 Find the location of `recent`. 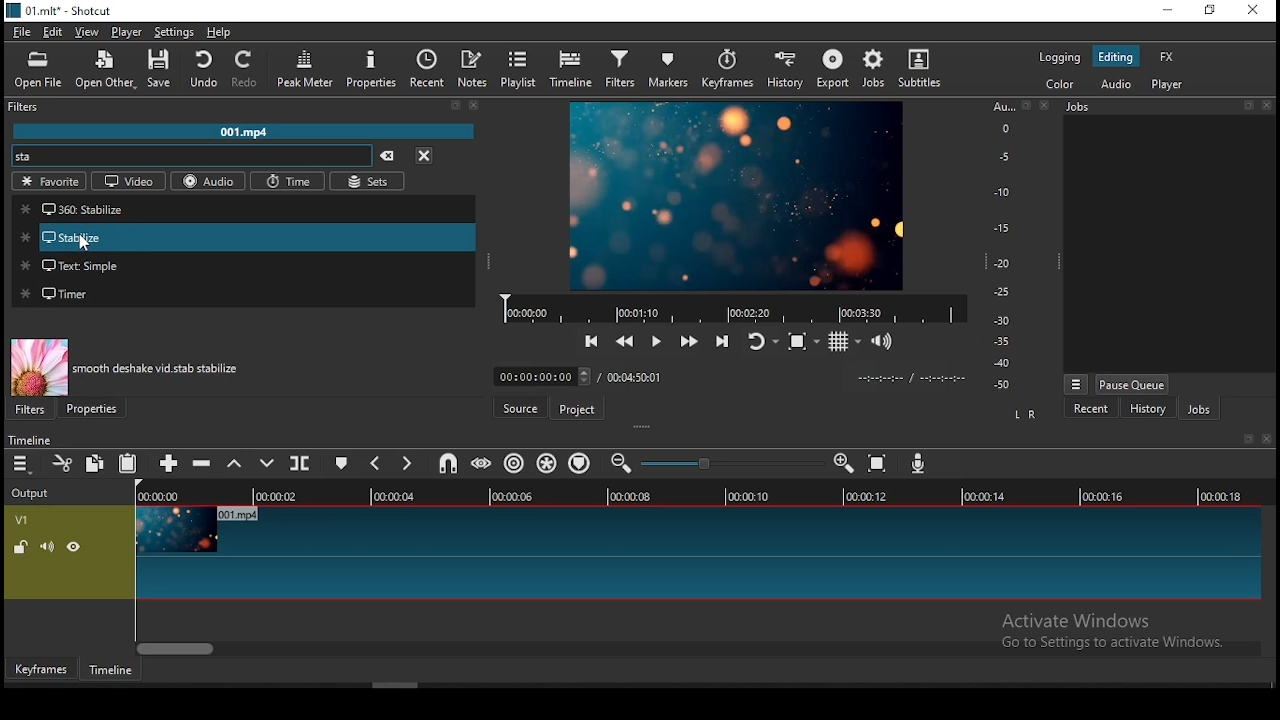

recent is located at coordinates (1085, 410).